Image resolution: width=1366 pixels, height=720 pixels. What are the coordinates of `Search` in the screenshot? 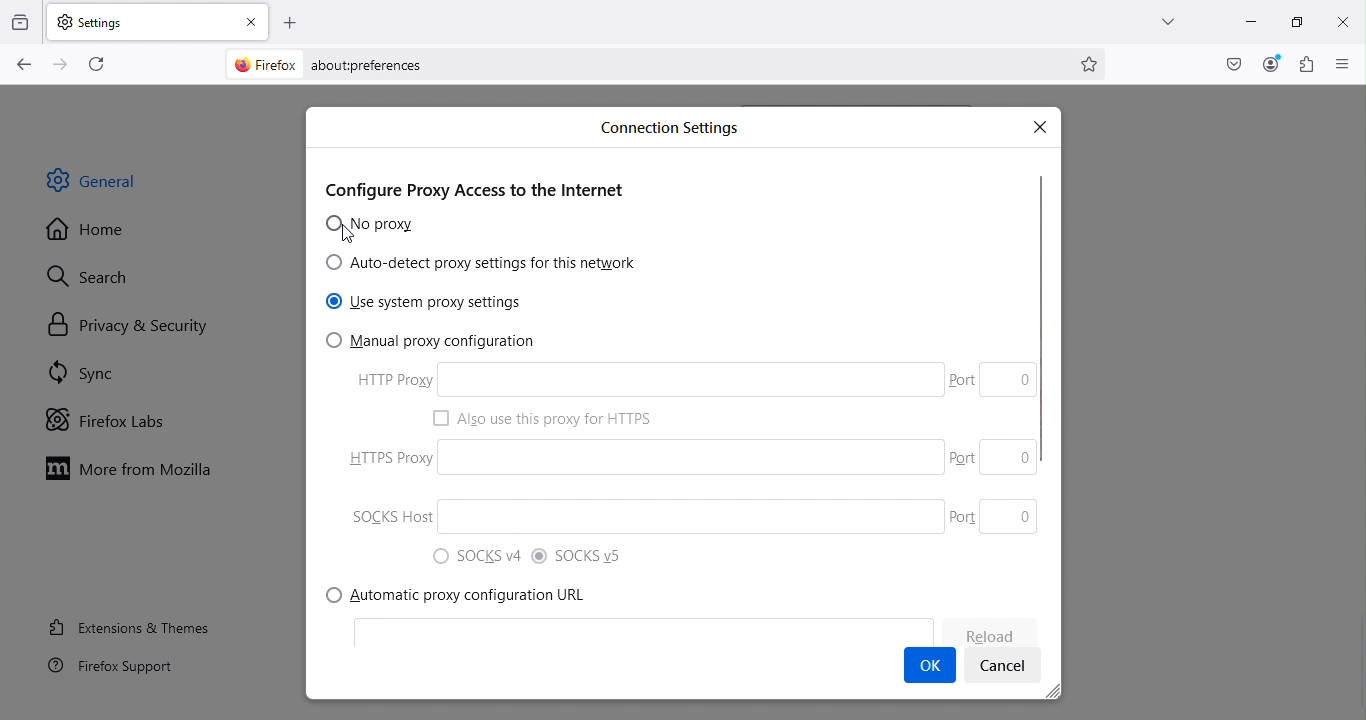 It's located at (113, 276).